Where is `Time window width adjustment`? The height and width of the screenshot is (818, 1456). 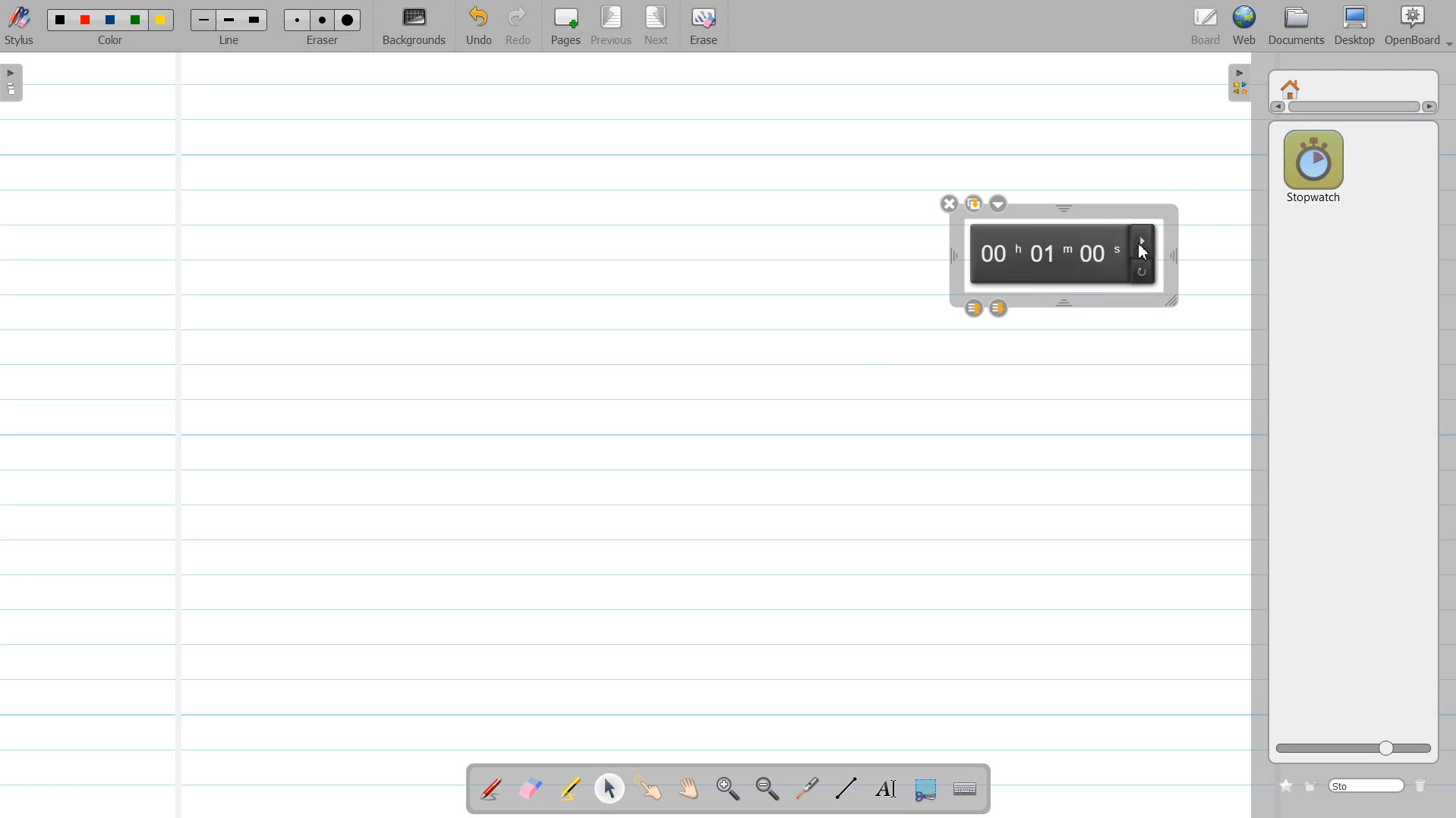 Time window width adjustment is located at coordinates (949, 256).